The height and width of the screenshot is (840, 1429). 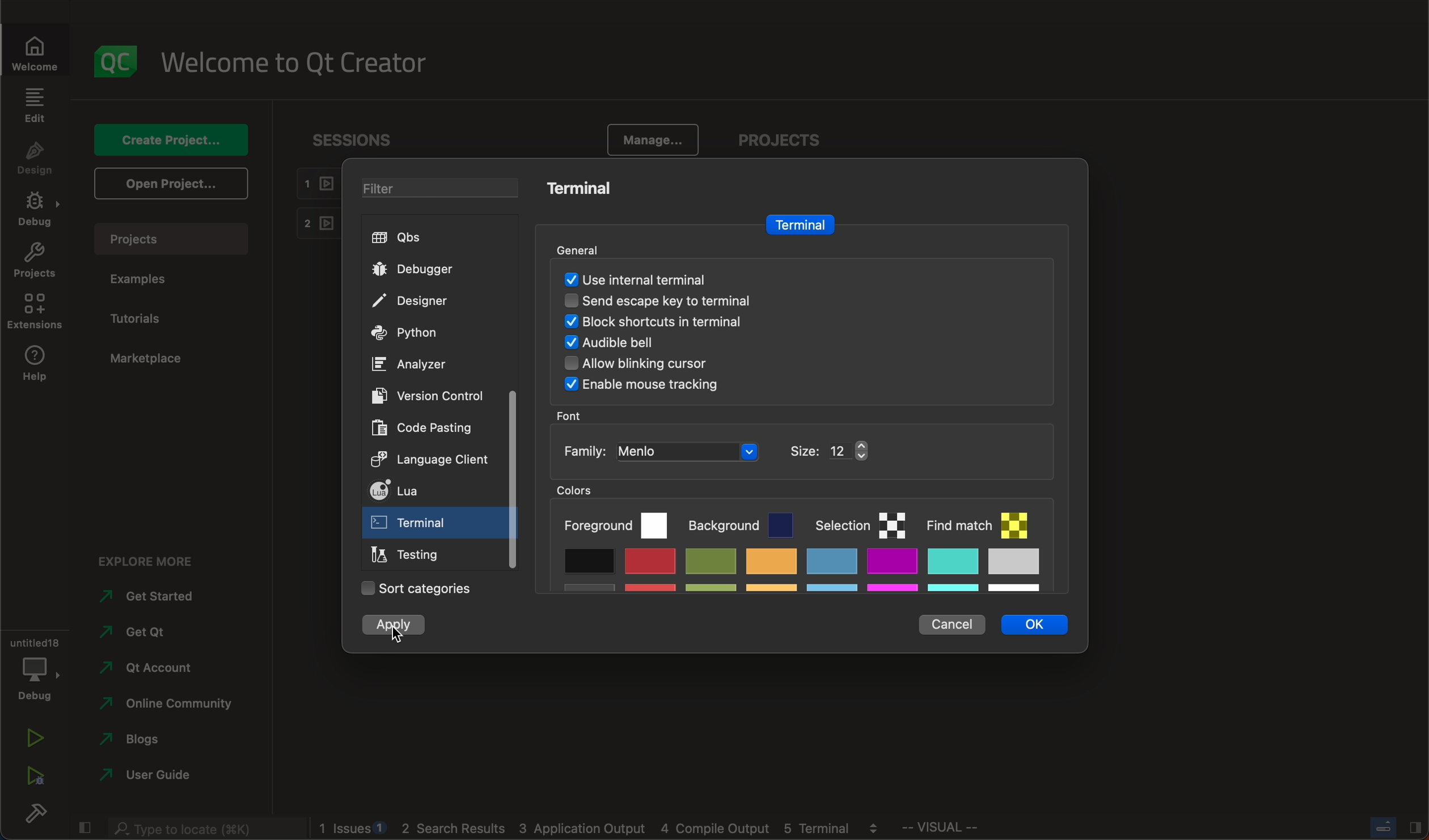 I want to click on filter, so click(x=429, y=185).